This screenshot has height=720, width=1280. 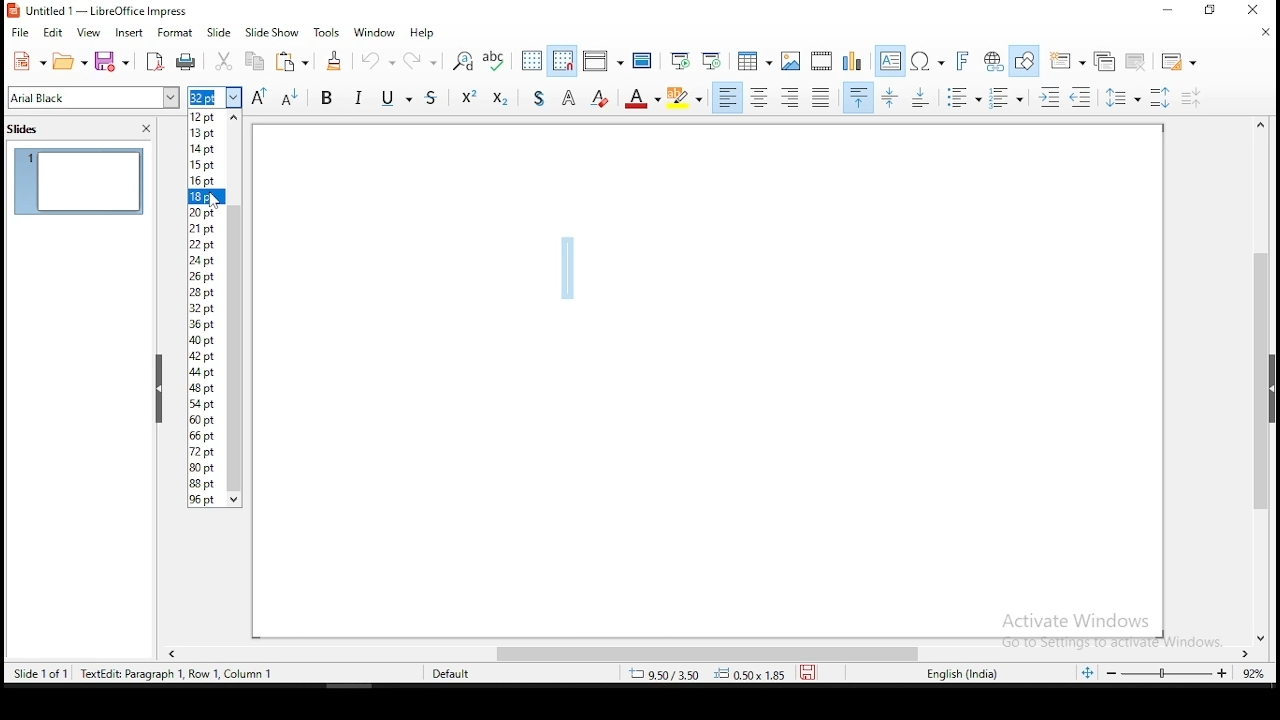 What do you see at coordinates (138, 672) in the screenshot?
I see `Slide 1 of 1` at bounding box center [138, 672].